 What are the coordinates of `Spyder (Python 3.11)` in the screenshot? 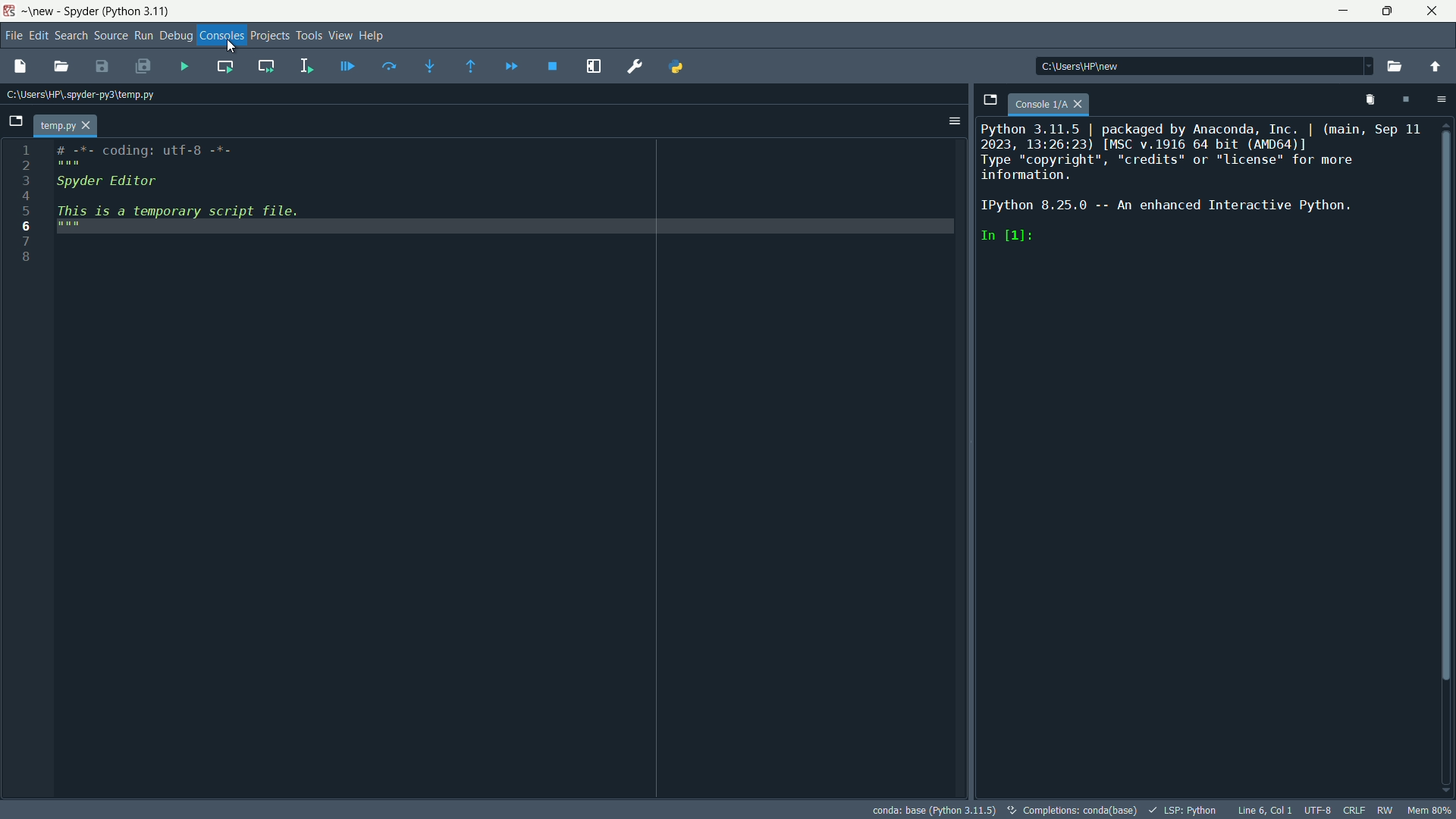 It's located at (120, 11).